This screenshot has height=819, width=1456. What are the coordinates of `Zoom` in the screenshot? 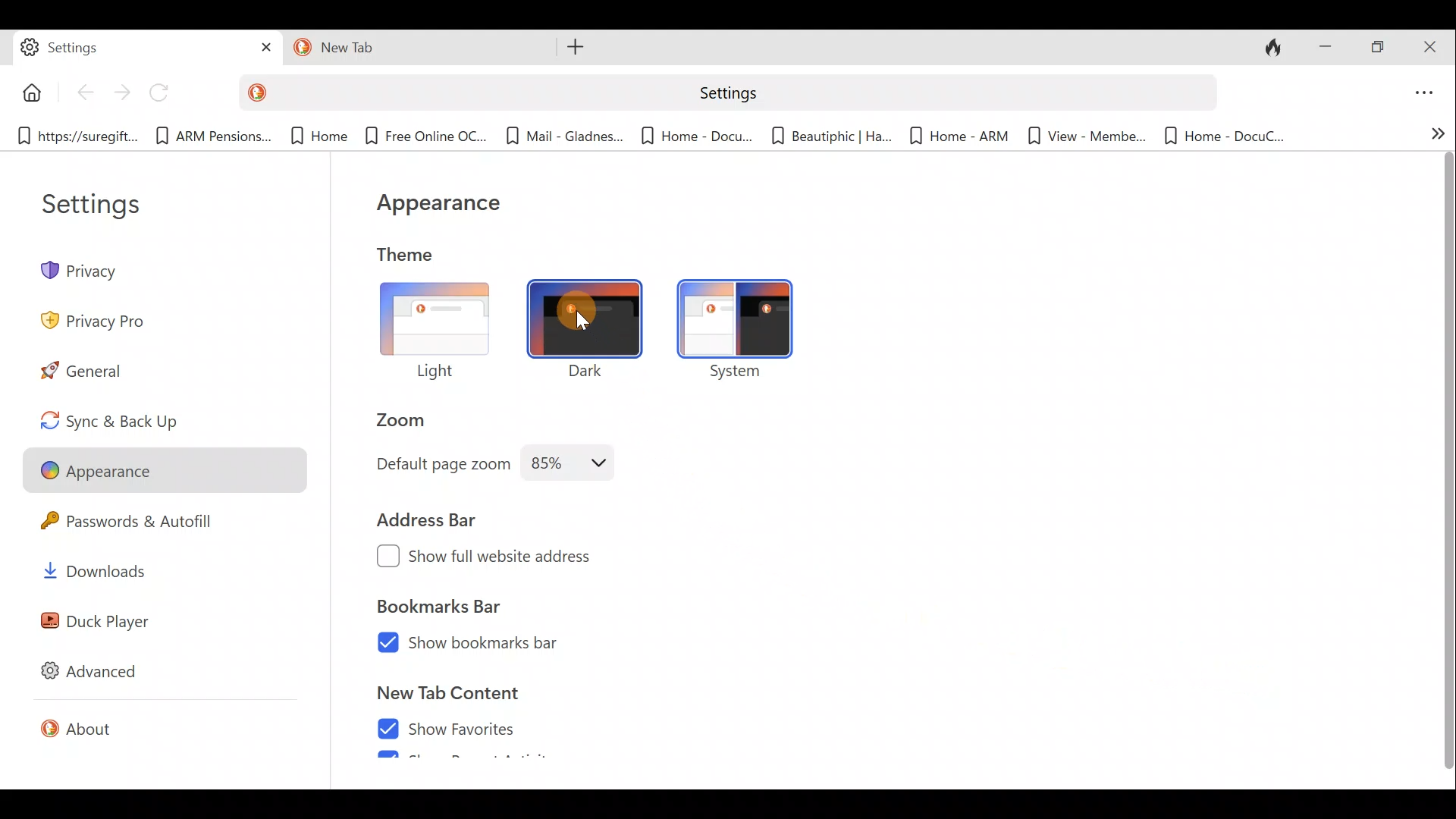 It's located at (409, 421).